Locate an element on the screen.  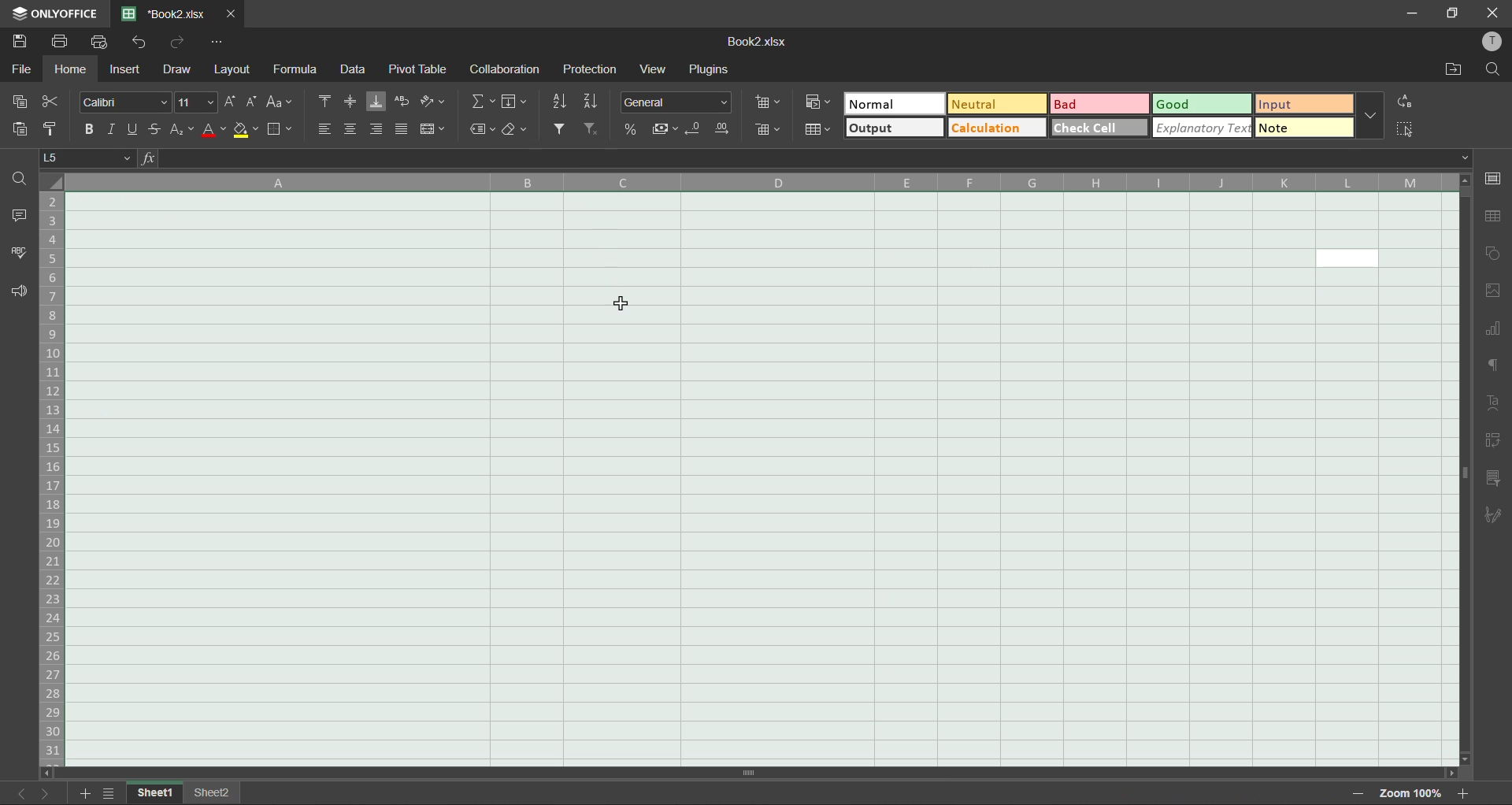
copy style is located at coordinates (52, 124).